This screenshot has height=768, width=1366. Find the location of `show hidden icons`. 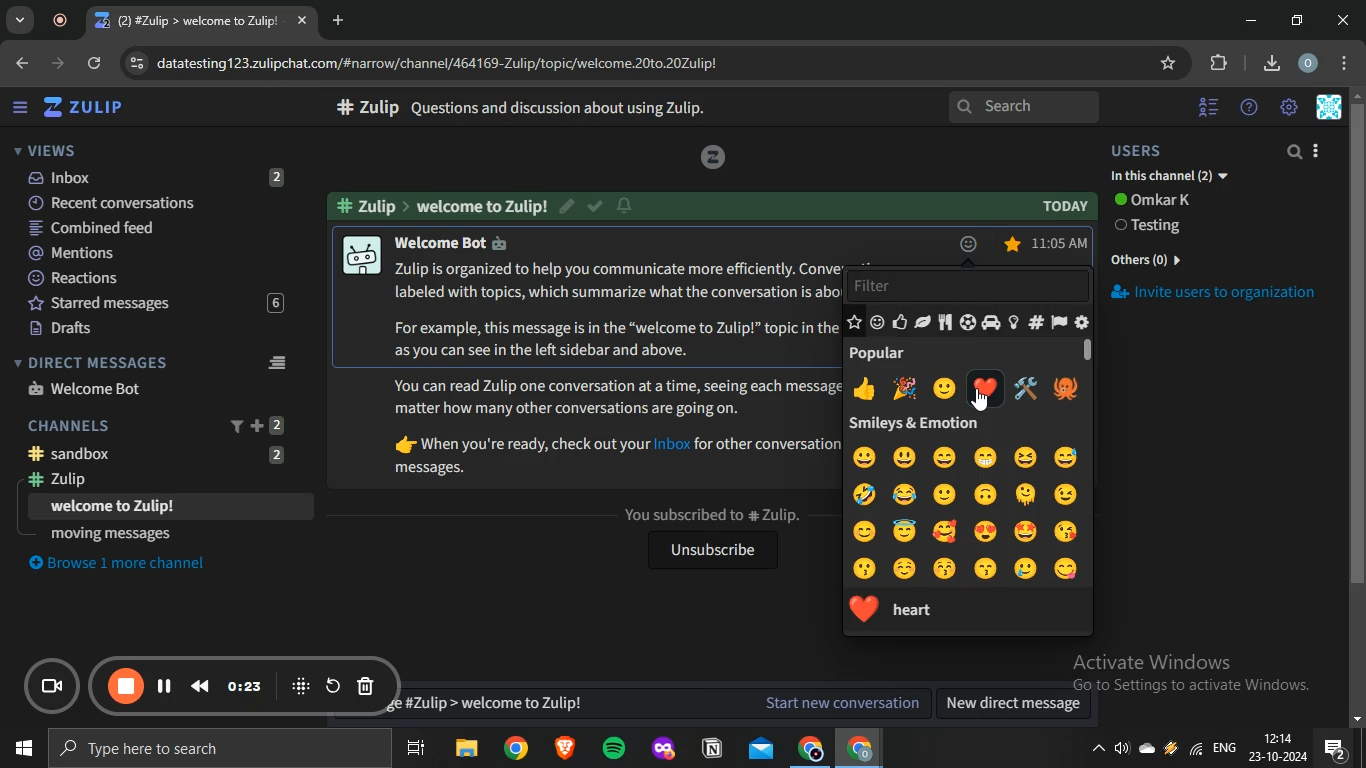

show hidden icons is located at coordinates (1097, 754).